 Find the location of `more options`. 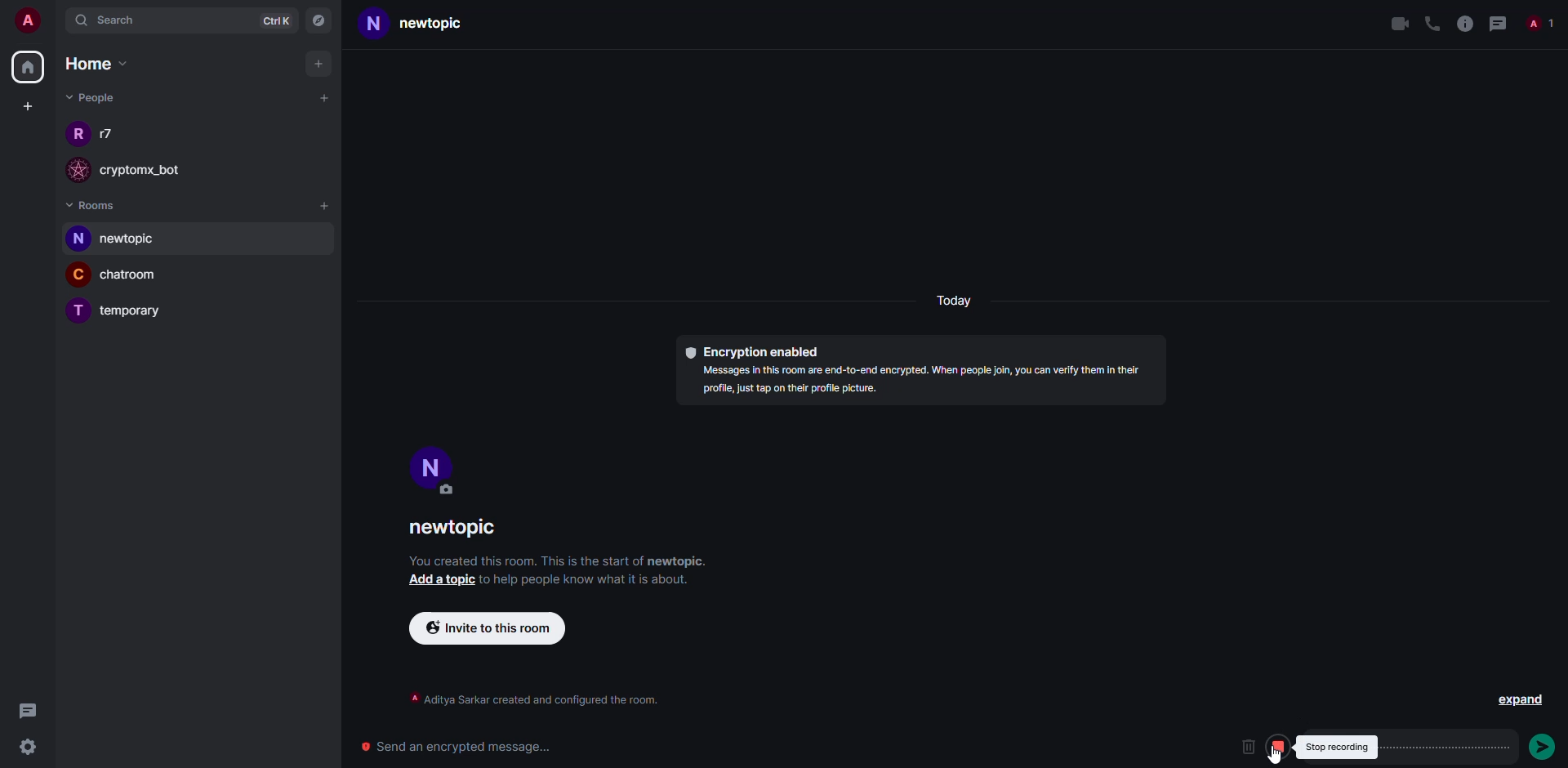

more options is located at coordinates (1486, 747).